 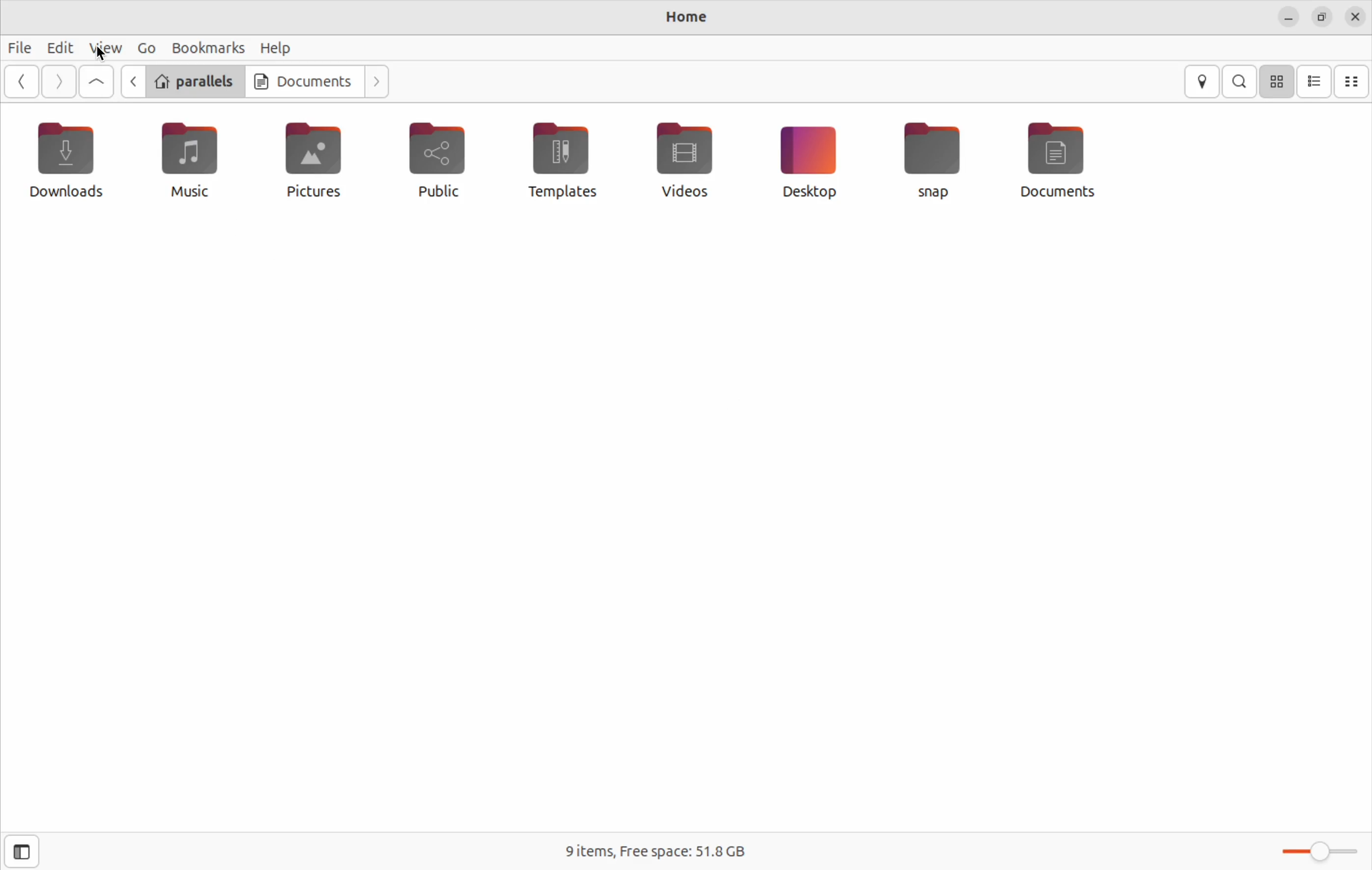 I want to click on Snap, so click(x=934, y=160).